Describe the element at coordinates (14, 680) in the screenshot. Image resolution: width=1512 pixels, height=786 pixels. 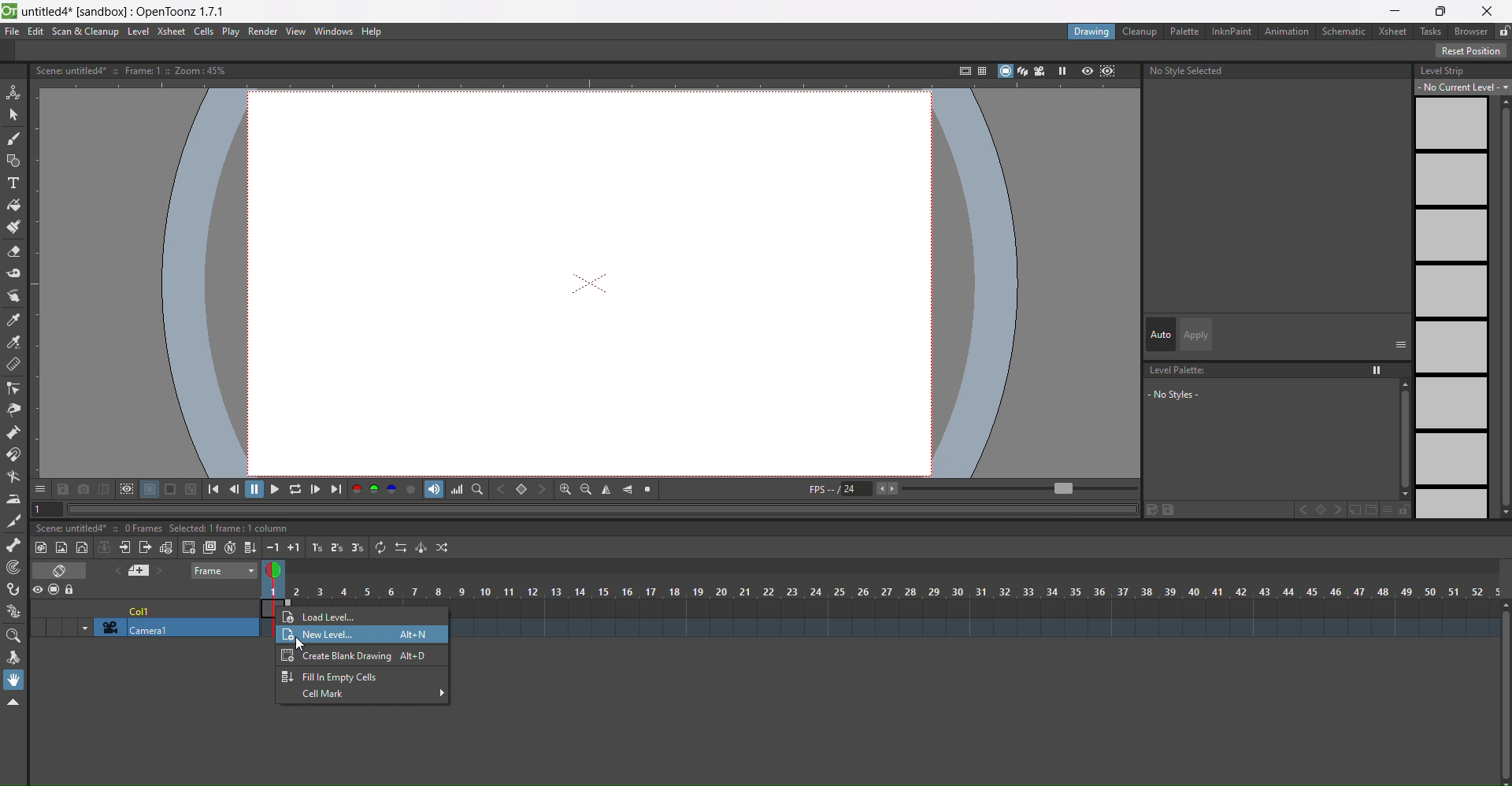
I see `hand tool` at that location.